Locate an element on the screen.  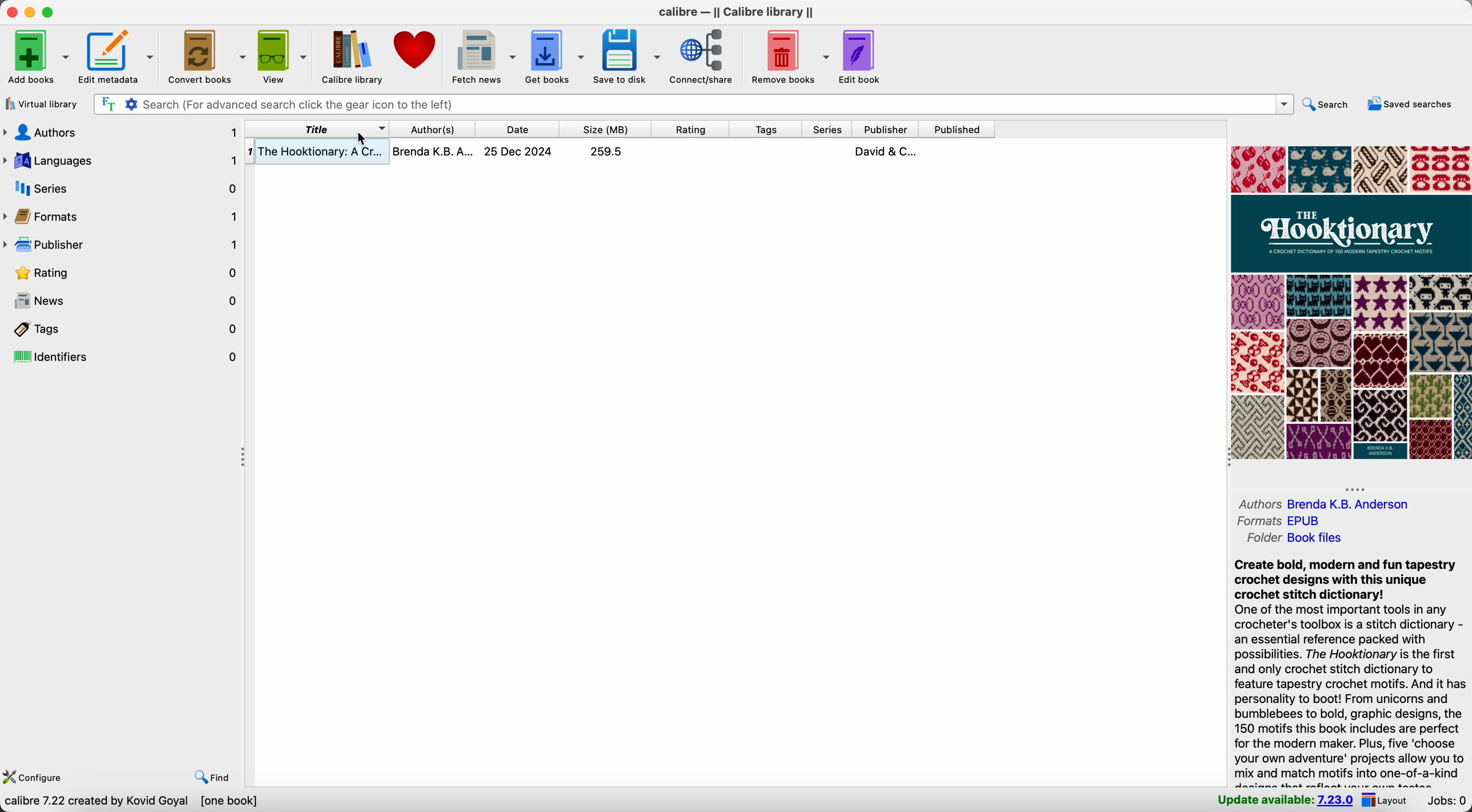
Jobs: 0 is located at coordinates (1446, 801).